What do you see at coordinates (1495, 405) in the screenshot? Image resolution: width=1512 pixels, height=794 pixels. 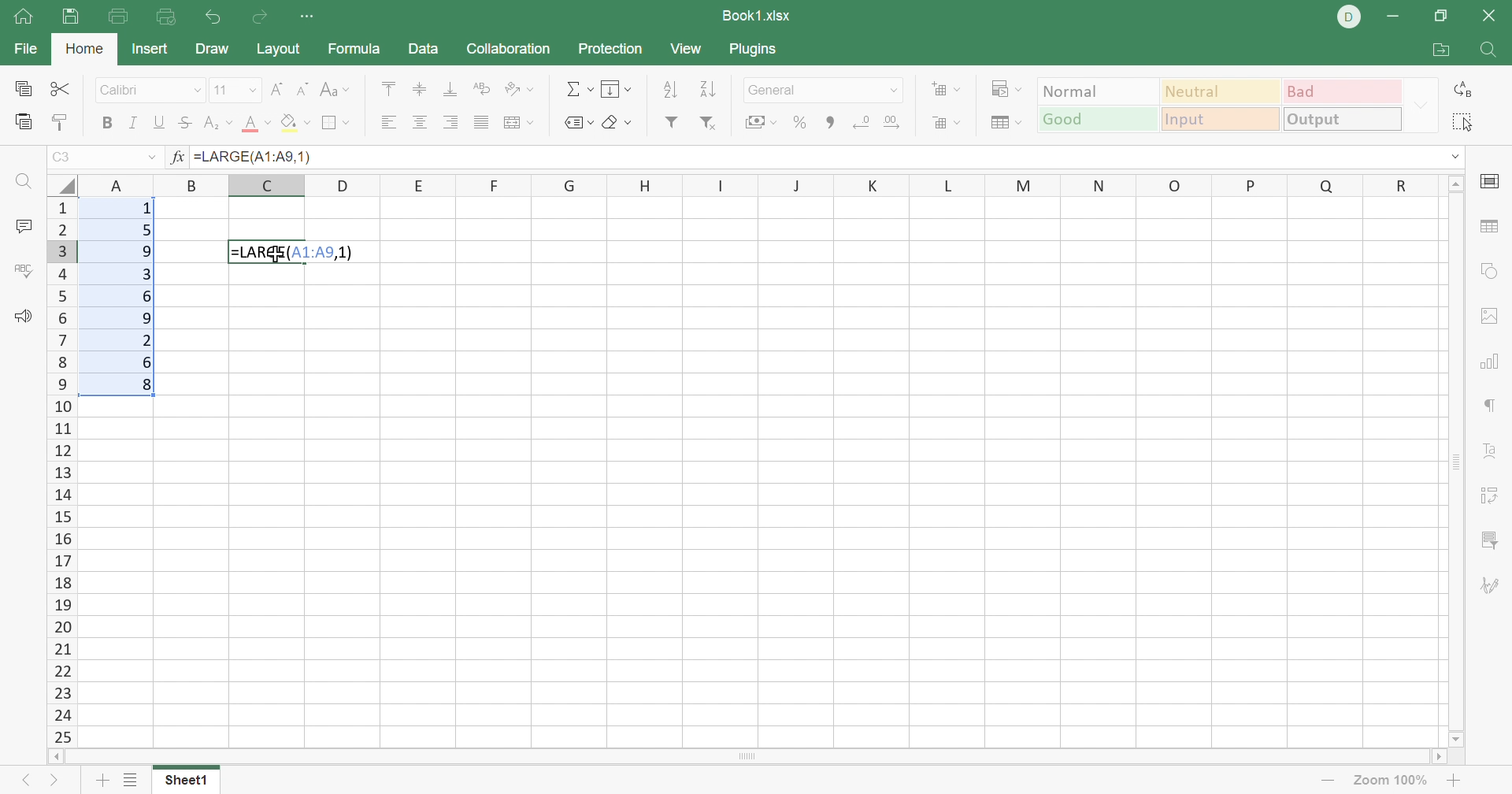 I see `paragraph settings` at bounding box center [1495, 405].